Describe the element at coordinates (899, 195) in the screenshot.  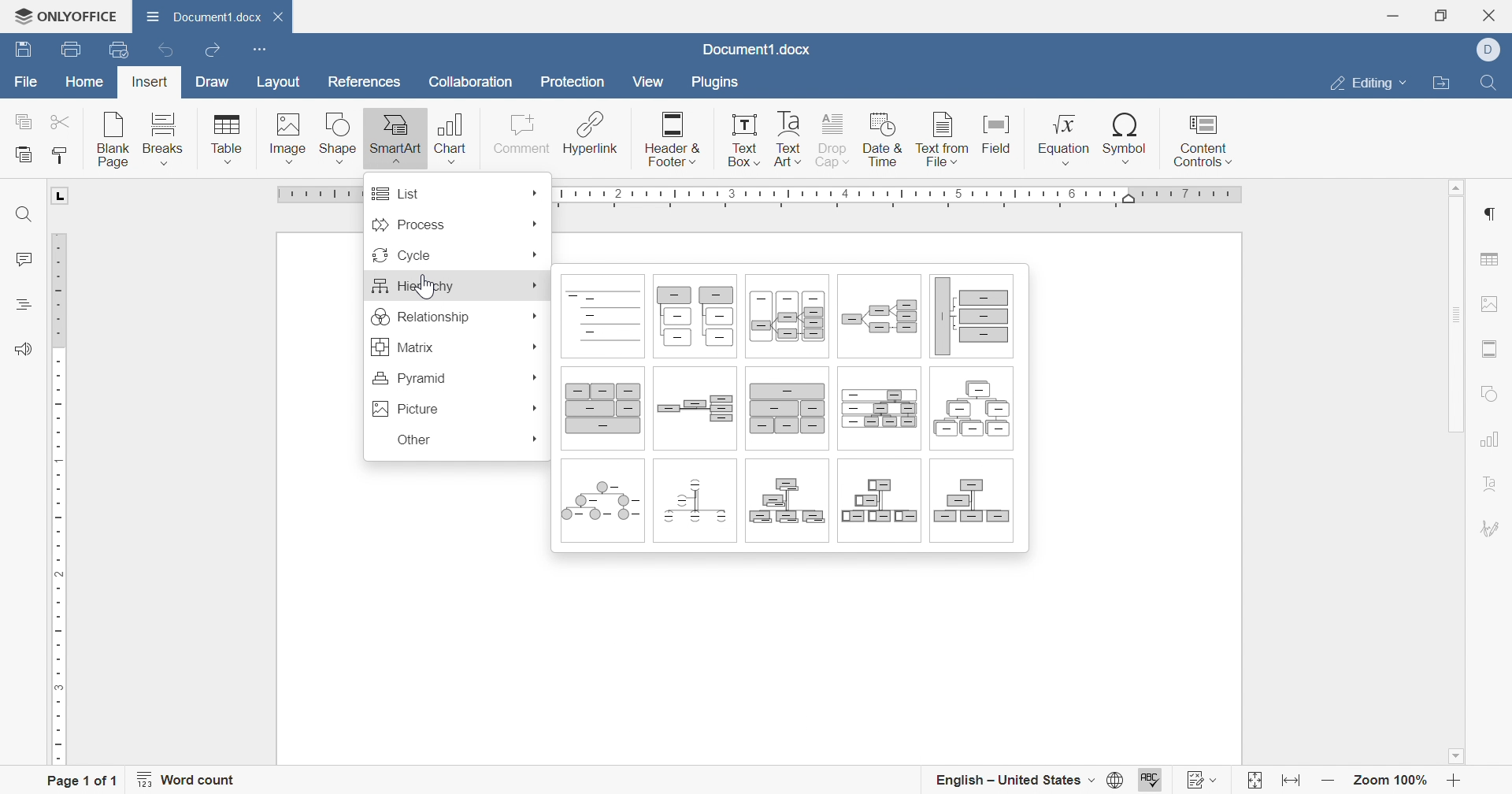
I see `Ruler` at that location.